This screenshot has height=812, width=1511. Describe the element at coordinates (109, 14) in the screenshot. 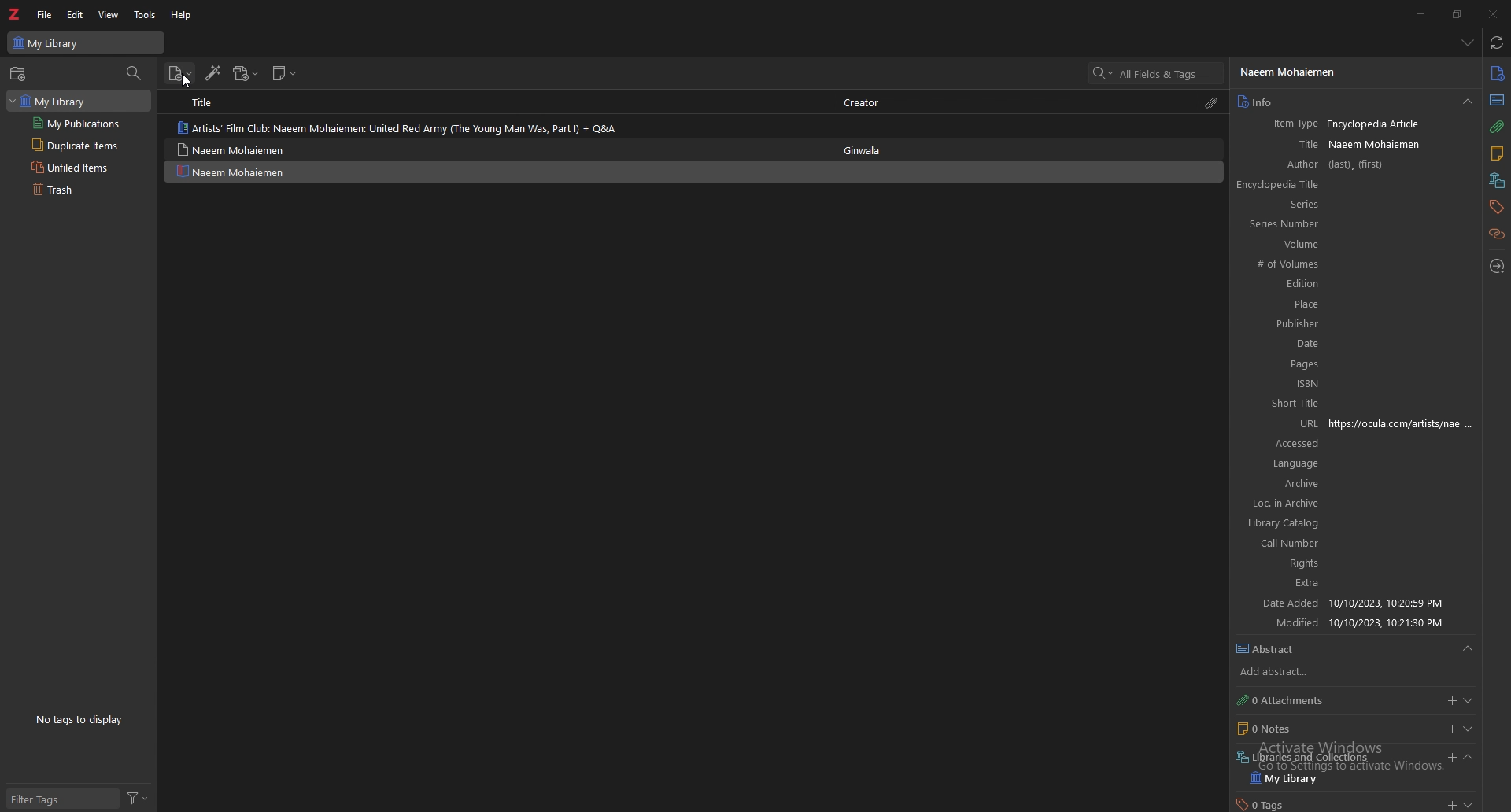

I see `view` at that location.